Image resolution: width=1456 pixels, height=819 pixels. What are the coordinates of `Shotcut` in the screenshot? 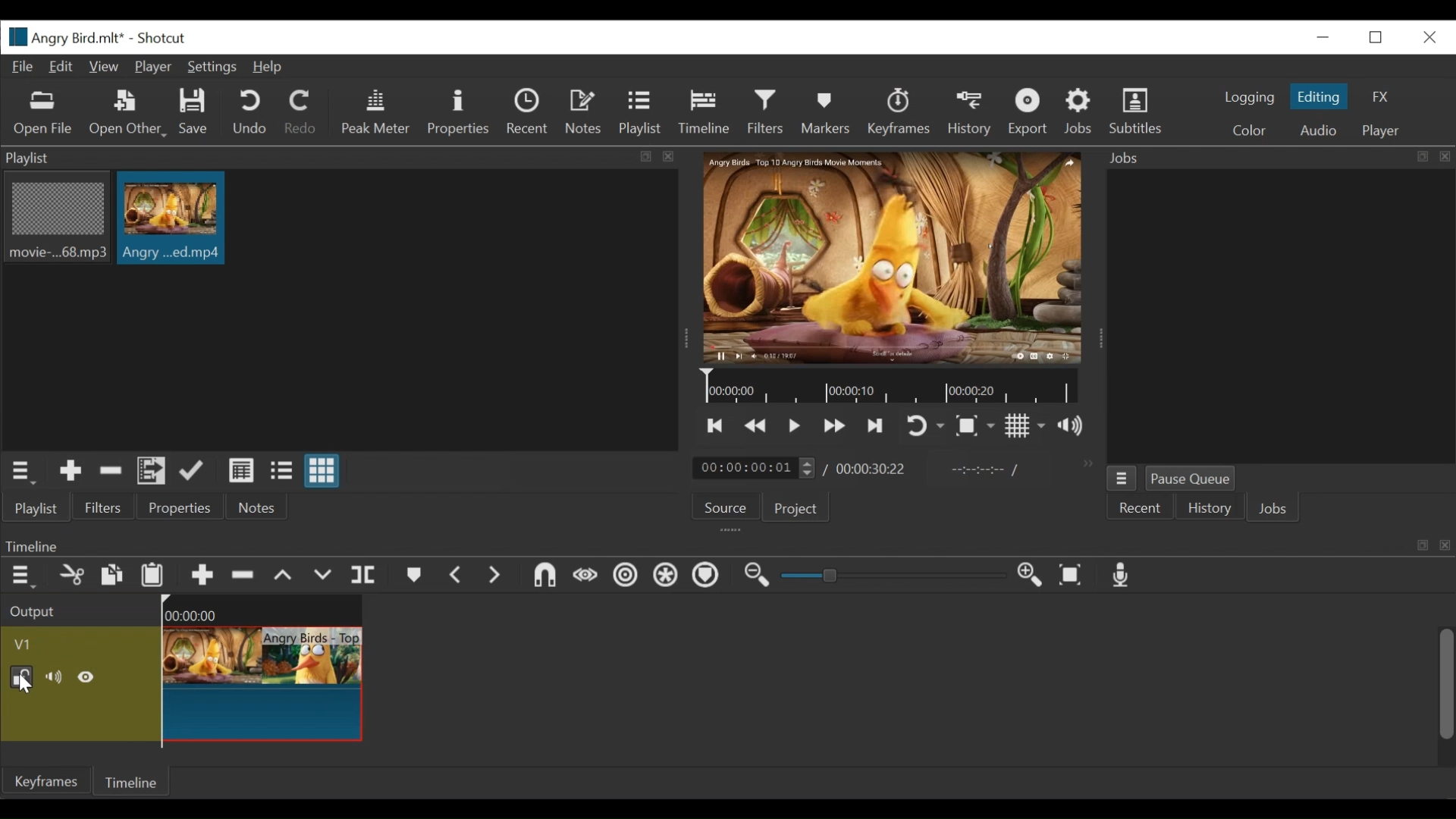 It's located at (166, 37).